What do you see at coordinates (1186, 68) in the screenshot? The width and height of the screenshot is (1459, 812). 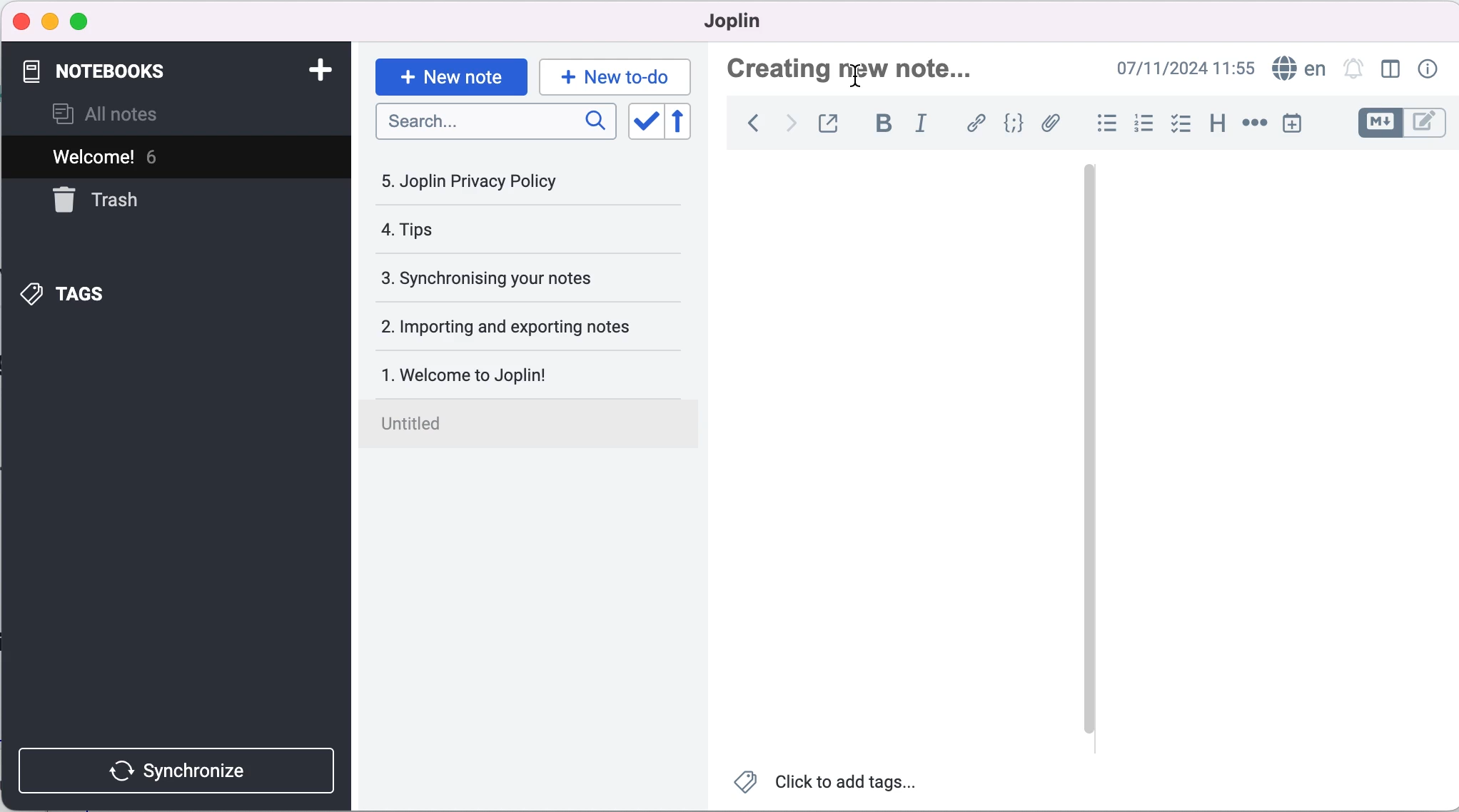 I see `07/11/2024 09:03` at bounding box center [1186, 68].